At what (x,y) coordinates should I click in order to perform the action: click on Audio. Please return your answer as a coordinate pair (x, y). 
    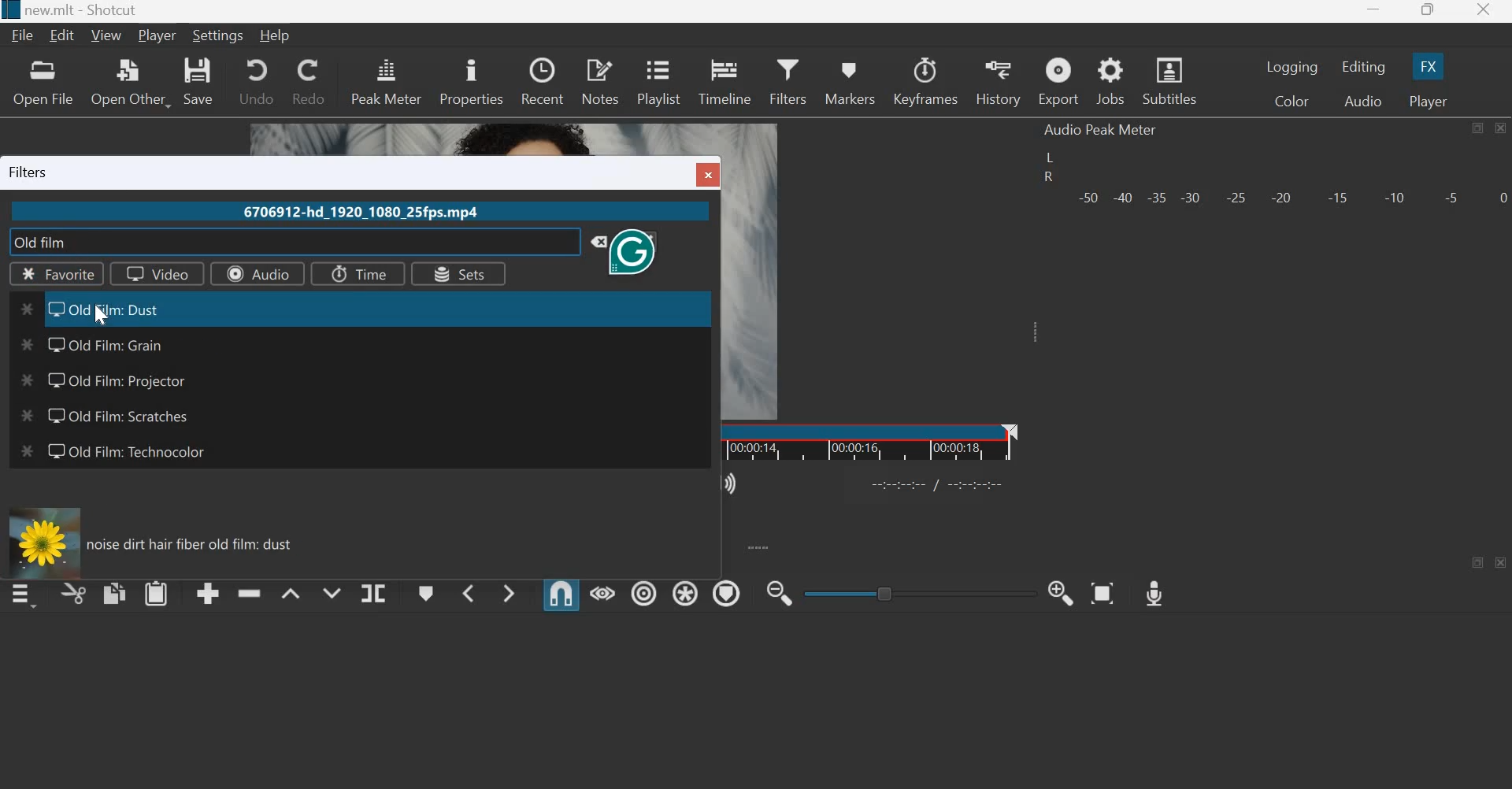
    Looking at the image, I should click on (1363, 102).